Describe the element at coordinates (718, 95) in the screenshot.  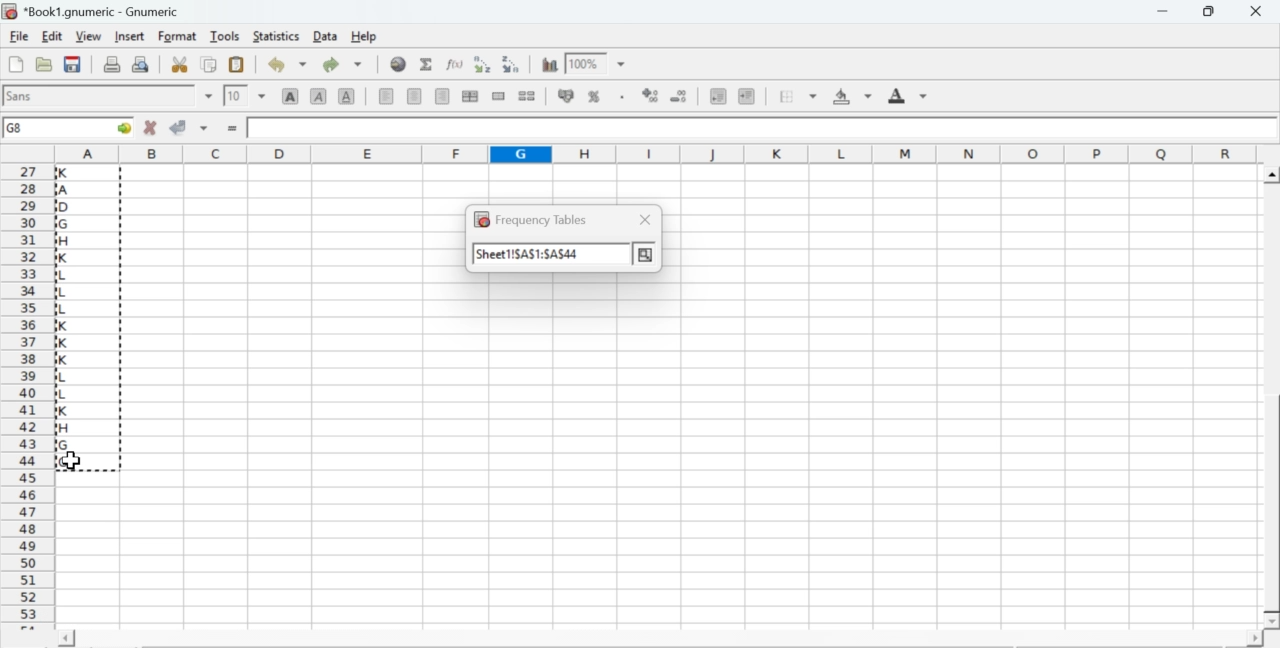
I see `decrease indent` at that location.